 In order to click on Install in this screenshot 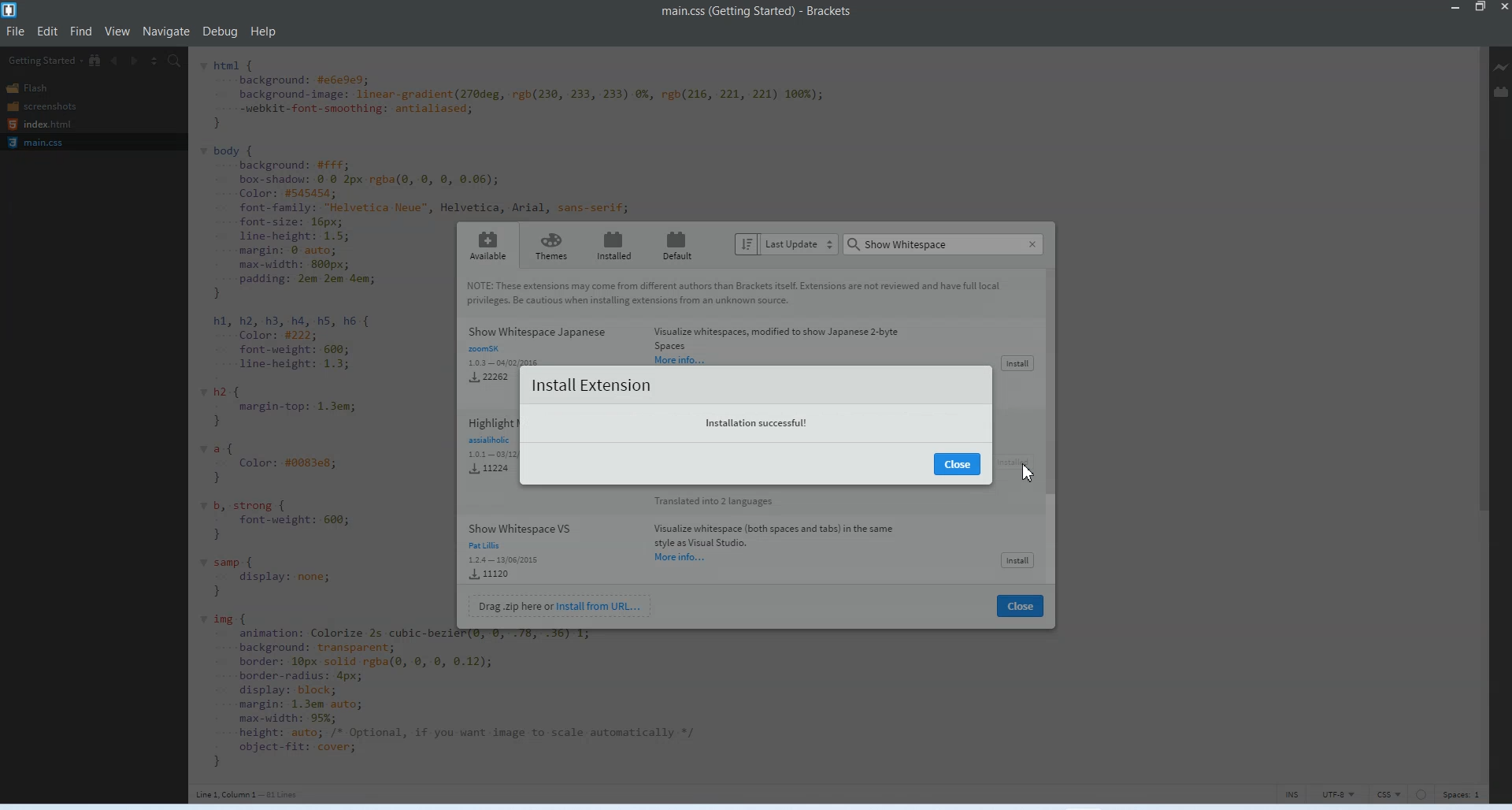, I will do `click(1018, 559)`.